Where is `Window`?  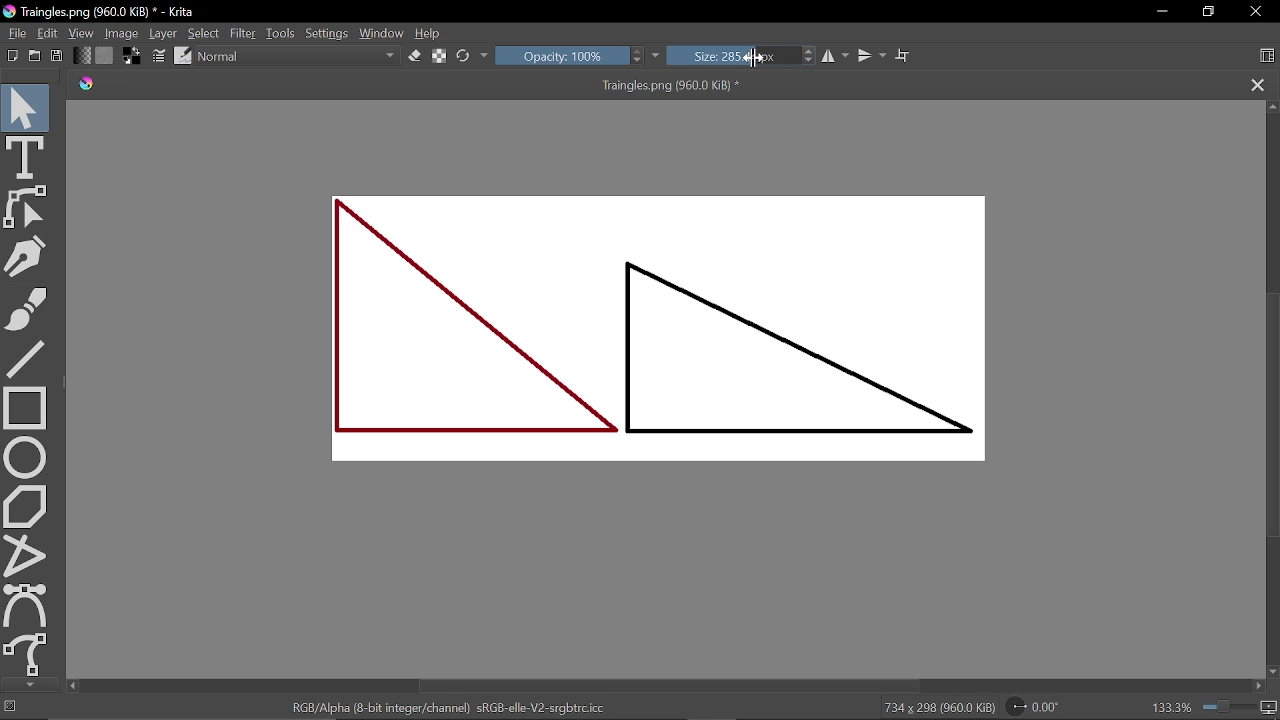
Window is located at coordinates (382, 34).